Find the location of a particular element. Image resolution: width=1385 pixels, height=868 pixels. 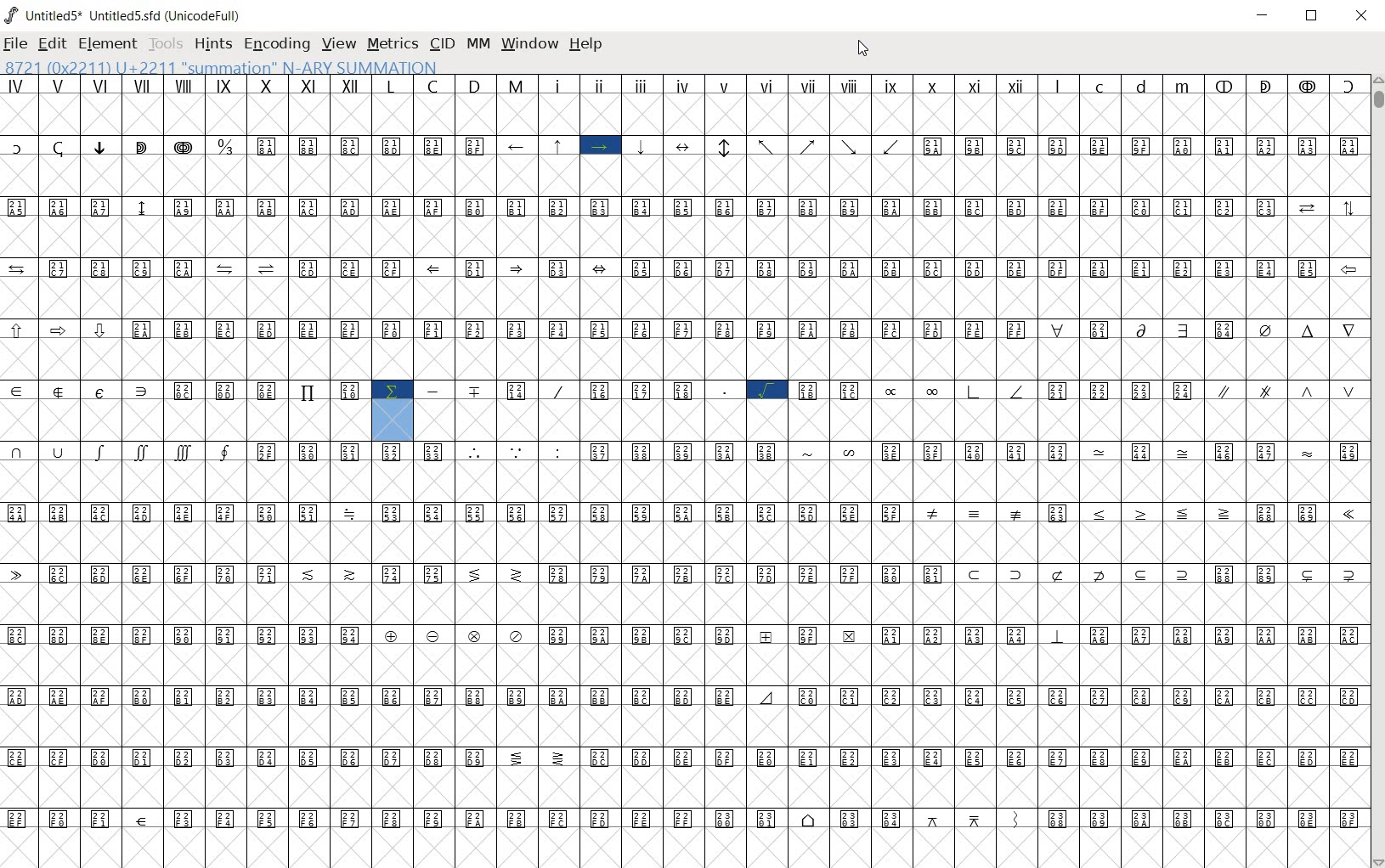

empty cells is located at coordinates (685, 603).